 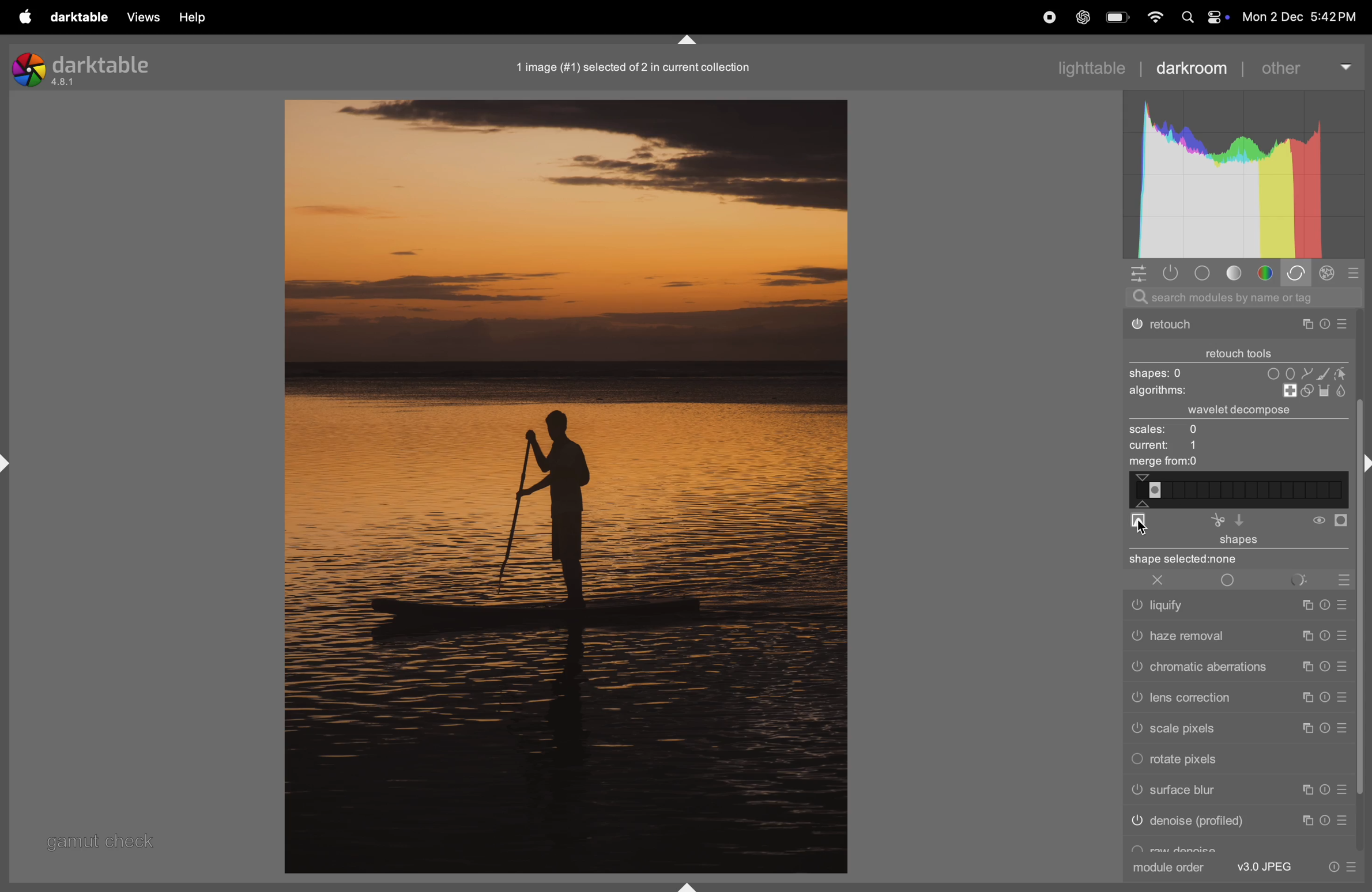 What do you see at coordinates (1239, 607) in the screenshot?
I see `liquify` at bounding box center [1239, 607].